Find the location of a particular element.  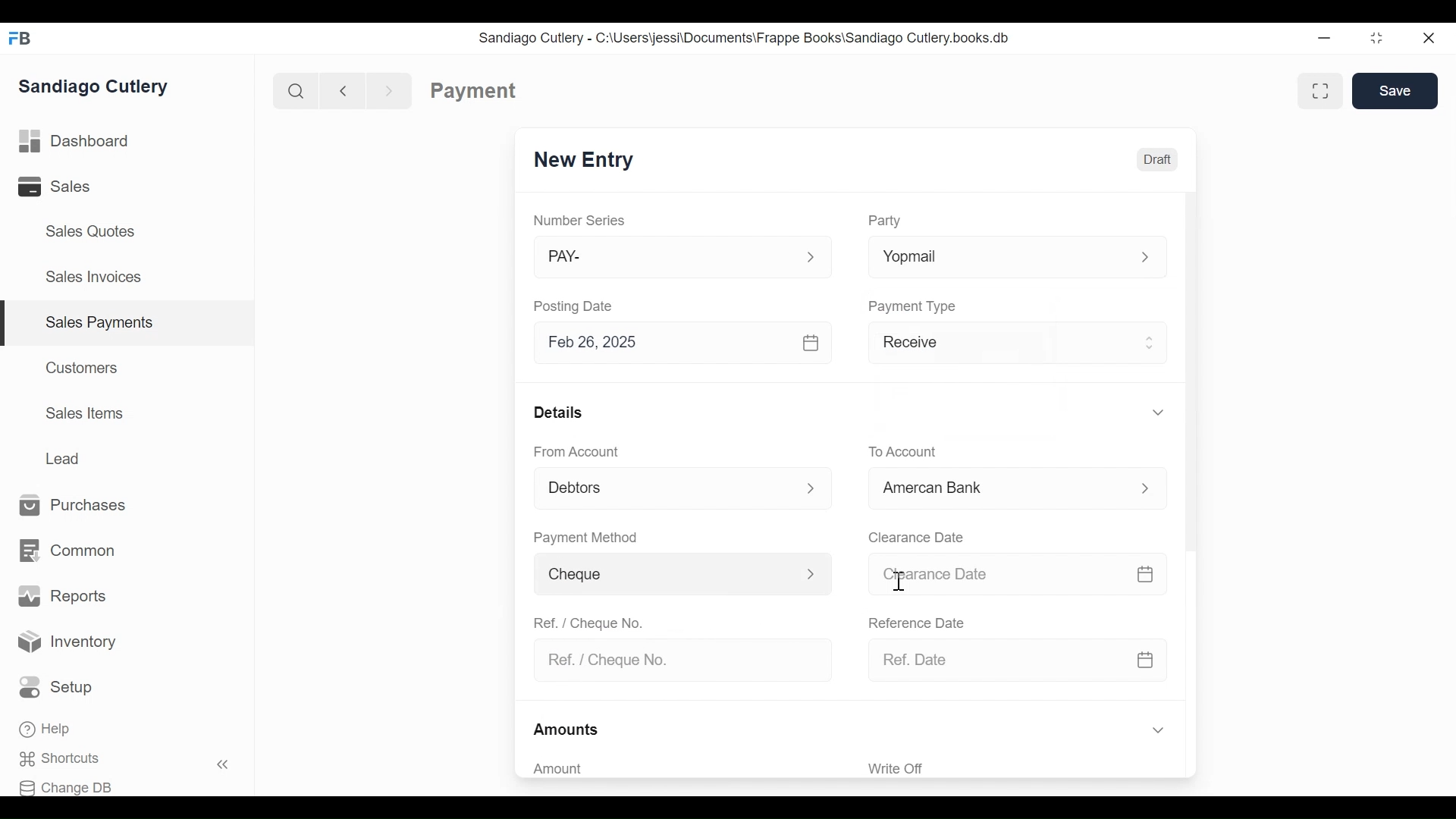

Clearance Date is located at coordinates (917, 538).